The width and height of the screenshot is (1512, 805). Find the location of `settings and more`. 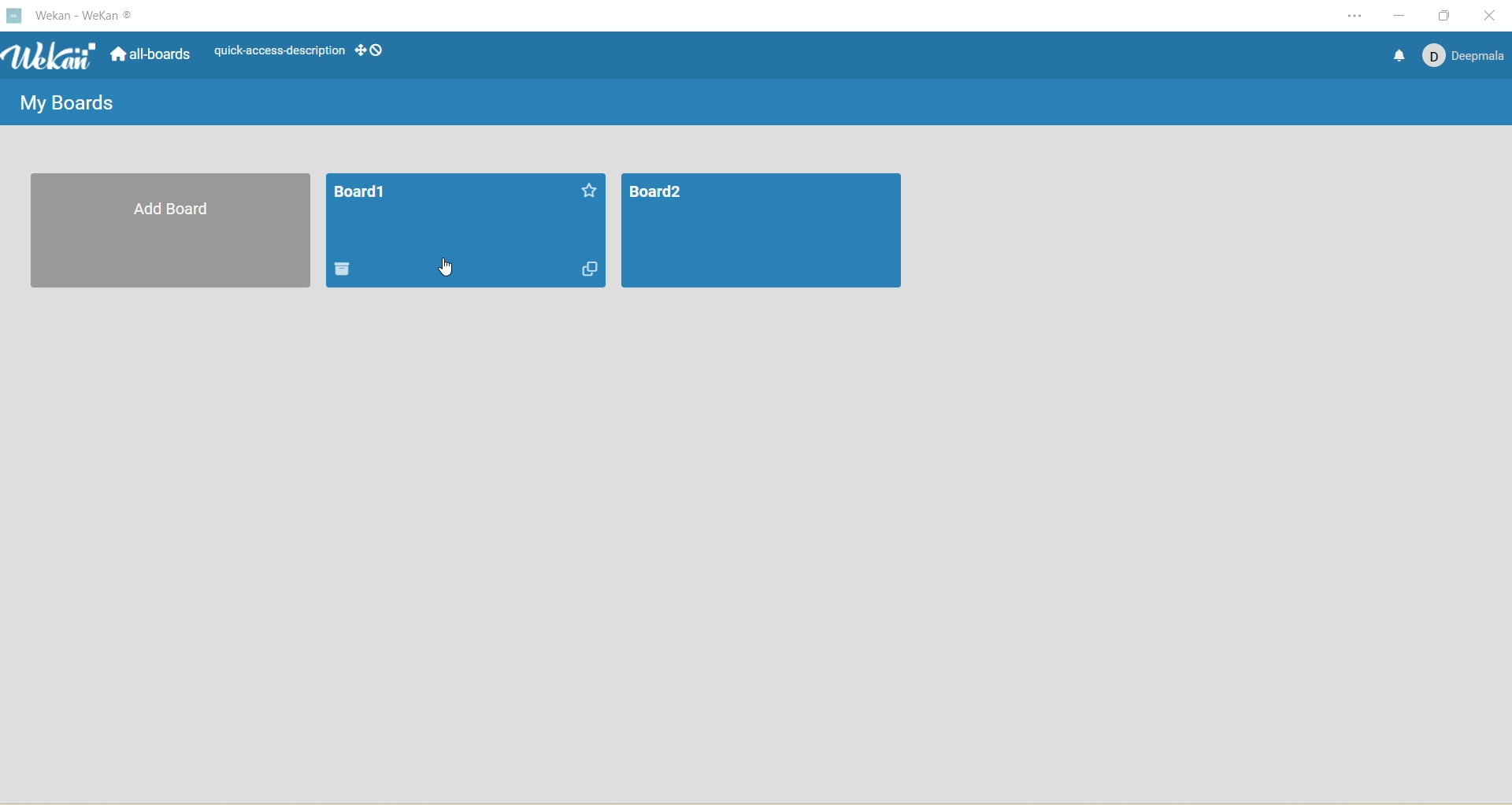

settings and more is located at coordinates (1358, 16).